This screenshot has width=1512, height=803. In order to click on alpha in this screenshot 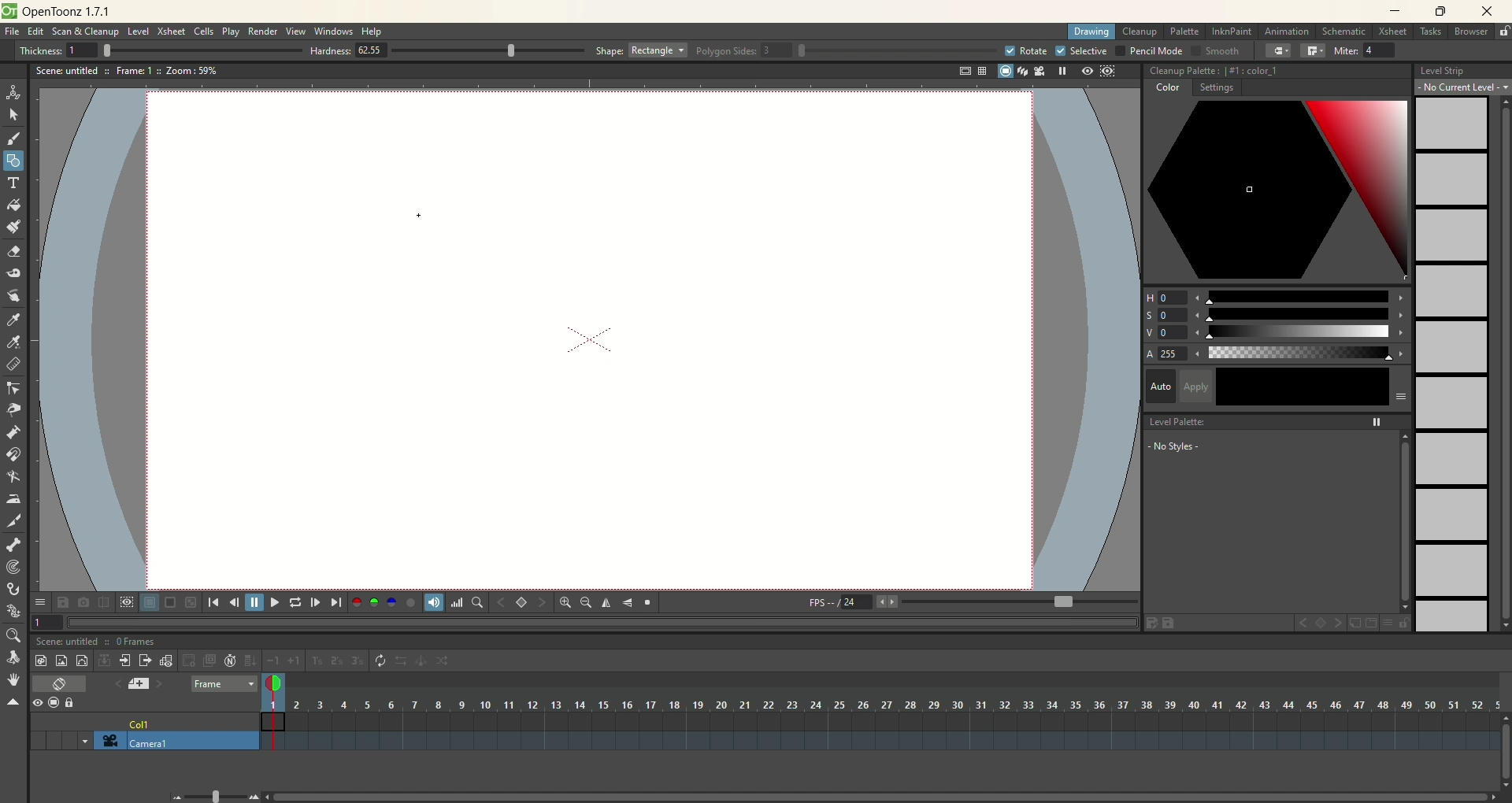, I will do `click(1277, 354)`.